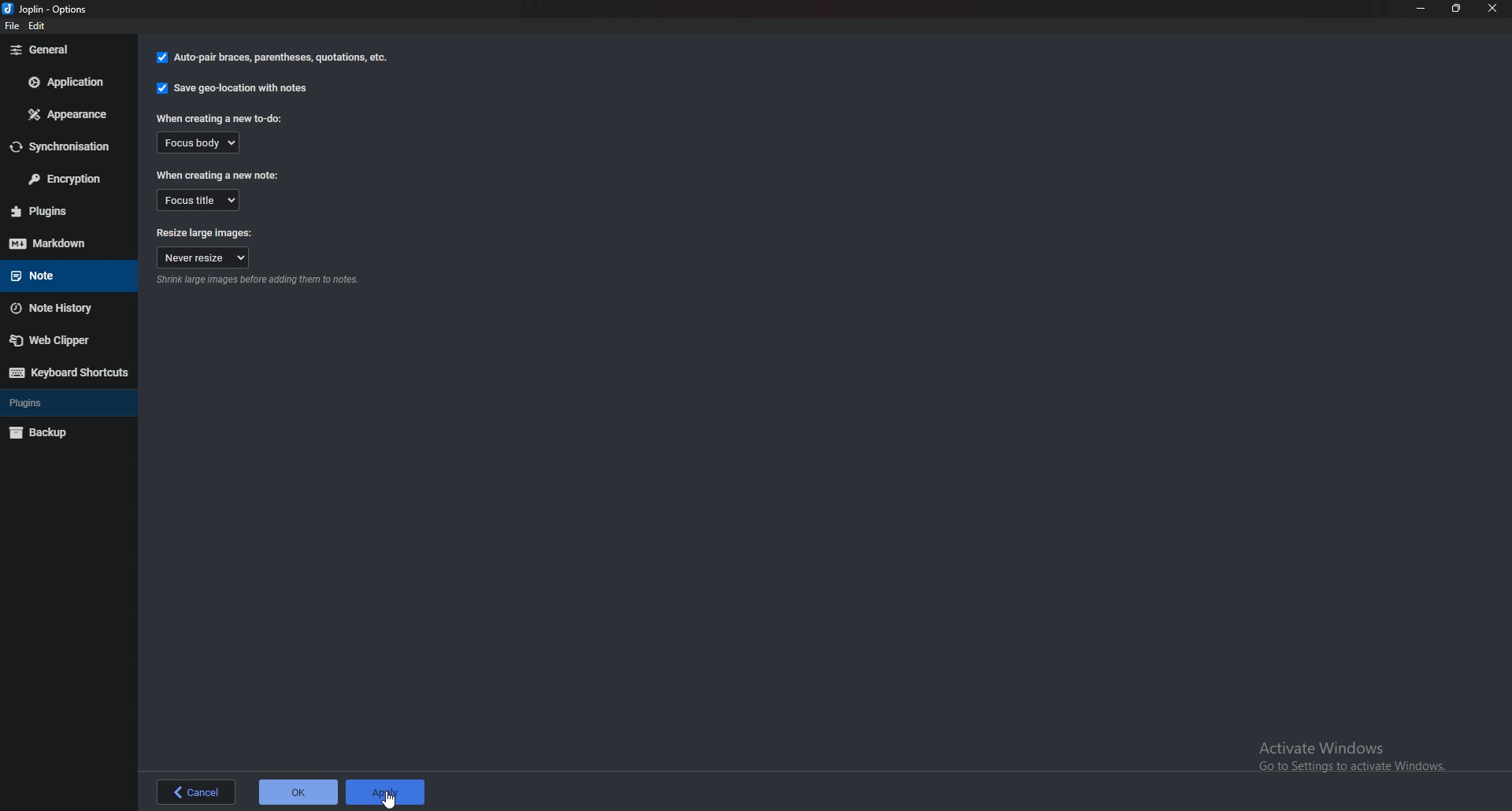 This screenshot has width=1512, height=811. What do you see at coordinates (15, 29) in the screenshot?
I see `file` at bounding box center [15, 29].